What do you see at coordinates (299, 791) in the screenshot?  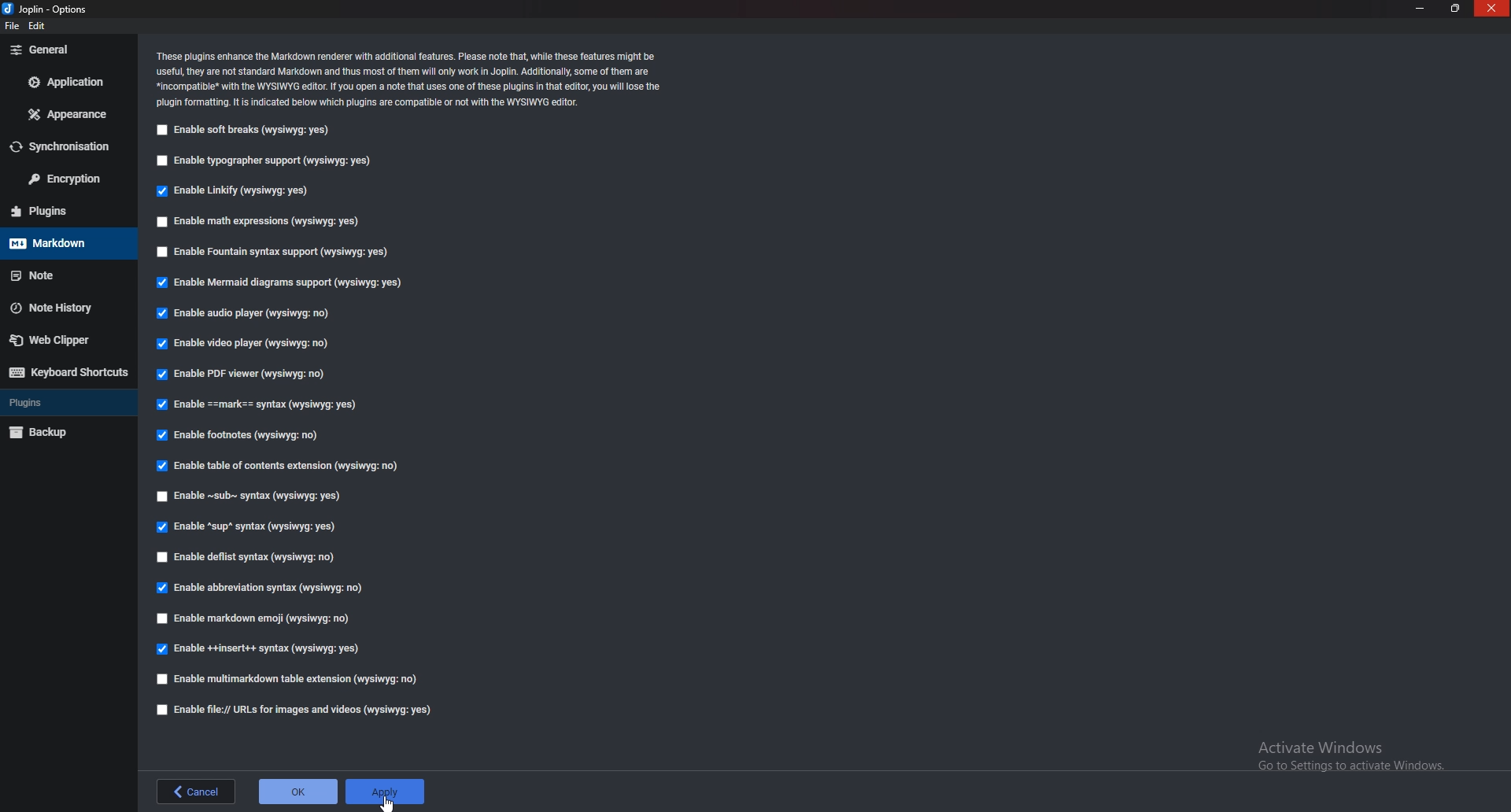 I see `ok` at bounding box center [299, 791].